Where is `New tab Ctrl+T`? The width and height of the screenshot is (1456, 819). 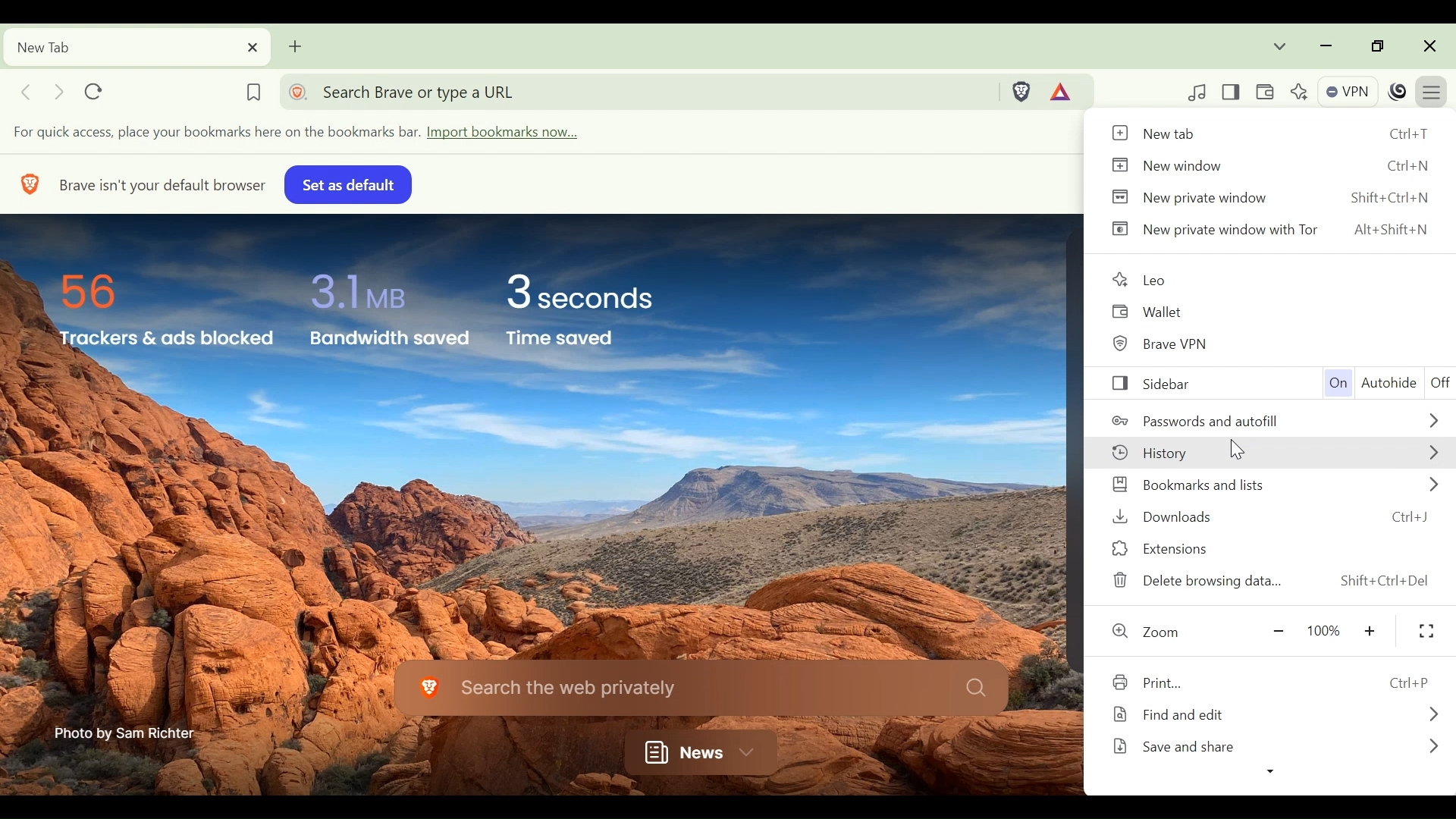 New tab Ctrl+T is located at coordinates (1271, 134).